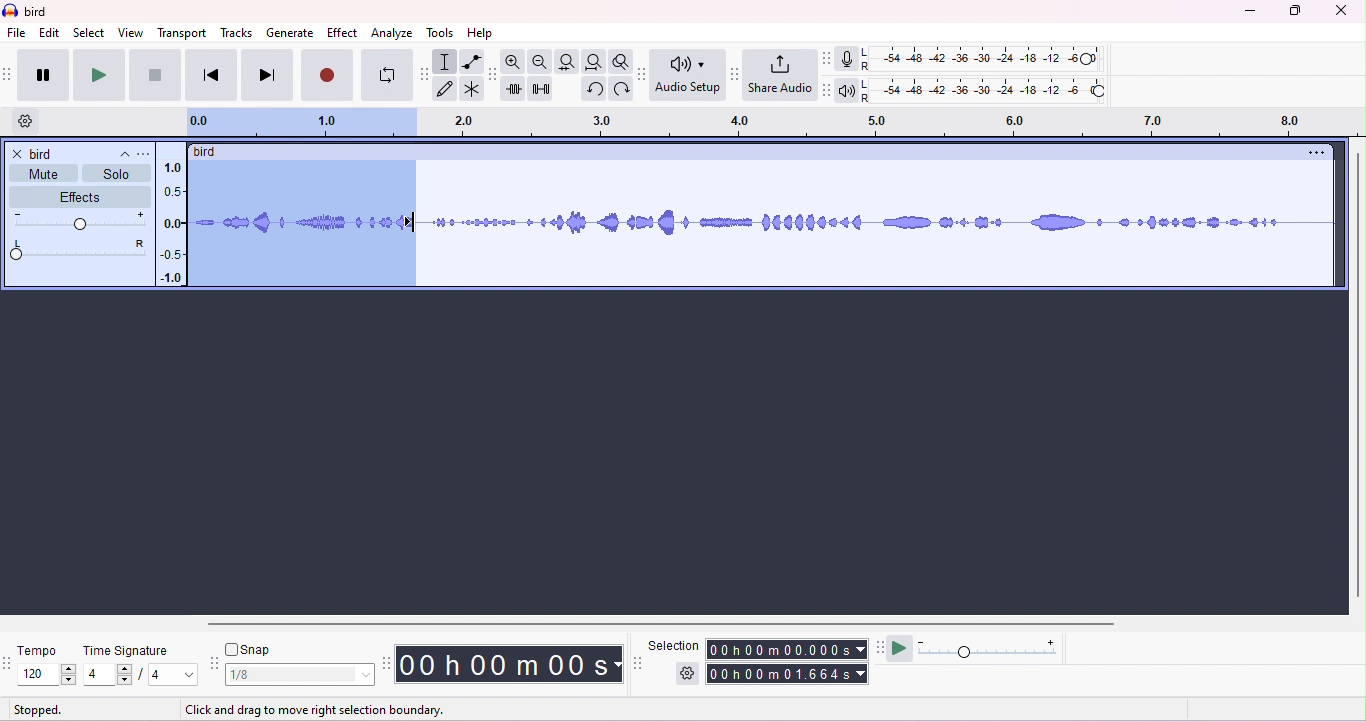 This screenshot has width=1366, height=722. I want to click on next, so click(268, 75).